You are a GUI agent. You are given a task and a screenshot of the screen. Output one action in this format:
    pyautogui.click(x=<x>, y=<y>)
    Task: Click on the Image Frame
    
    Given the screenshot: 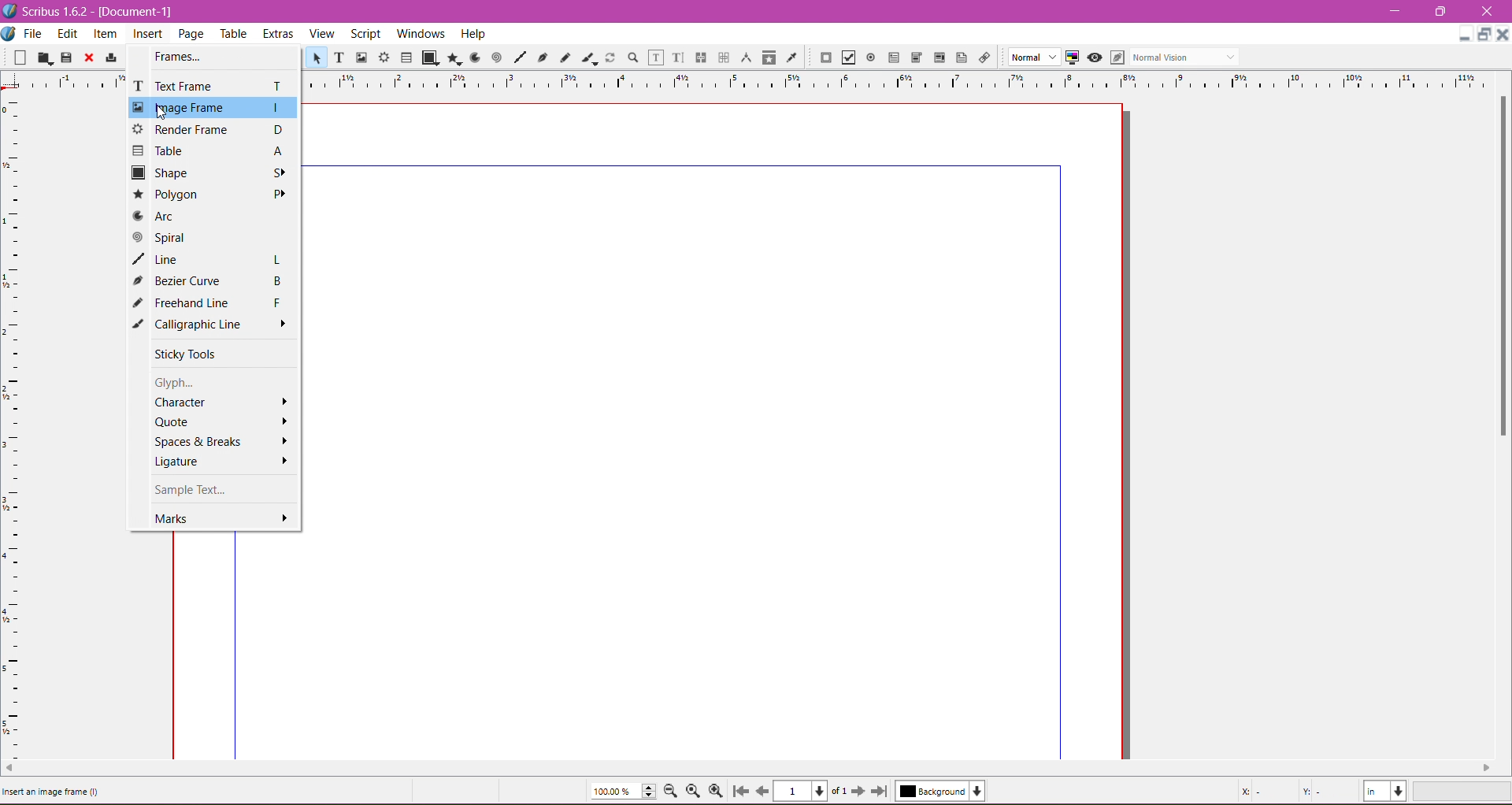 What is the action you would take?
    pyautogui.click(x=362, y=57)
    